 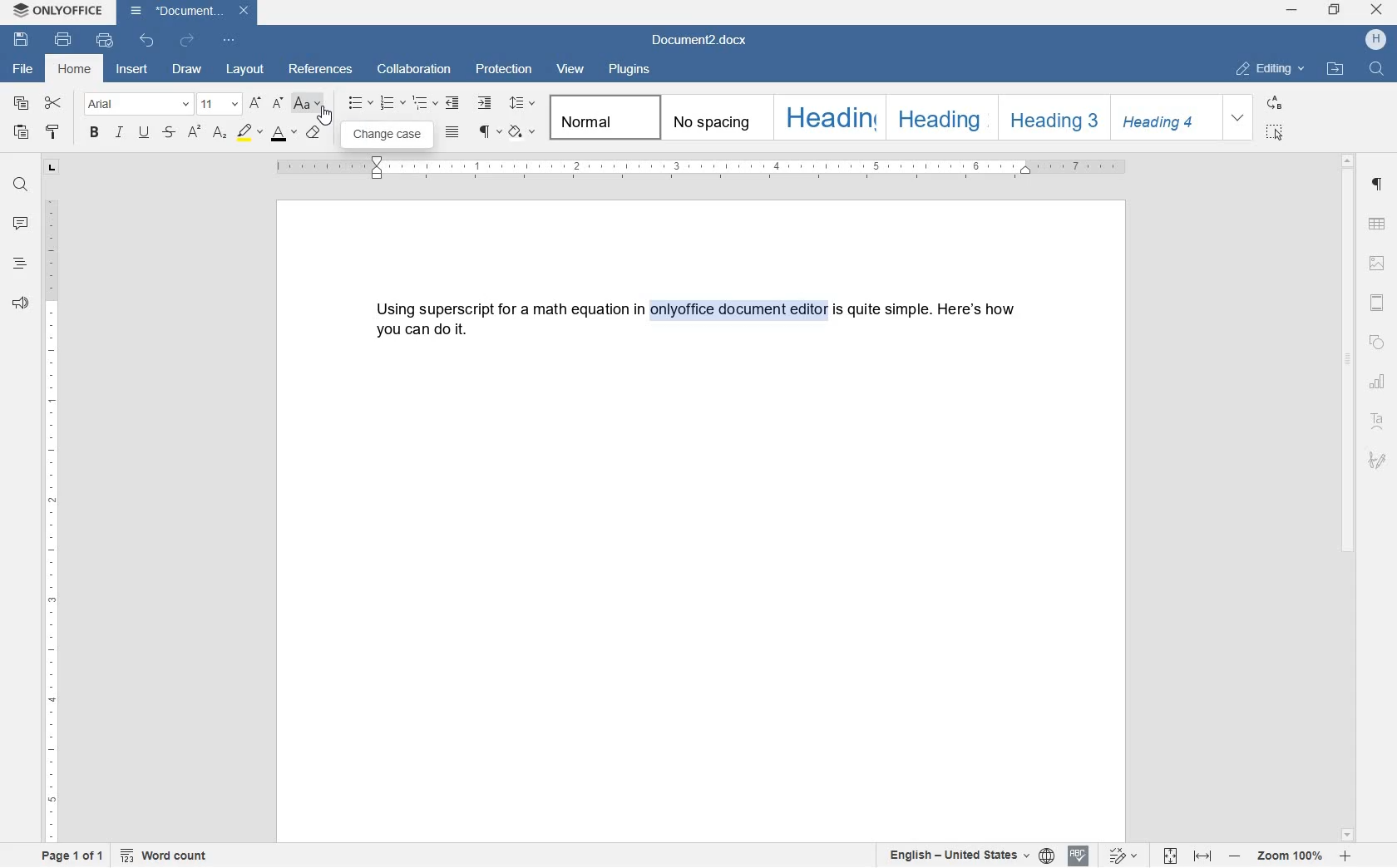 I want to click on Using superscript for a math equation in onlyoffice document editor is quite simple. Here's how you can do it, so click(x=698, y=316).